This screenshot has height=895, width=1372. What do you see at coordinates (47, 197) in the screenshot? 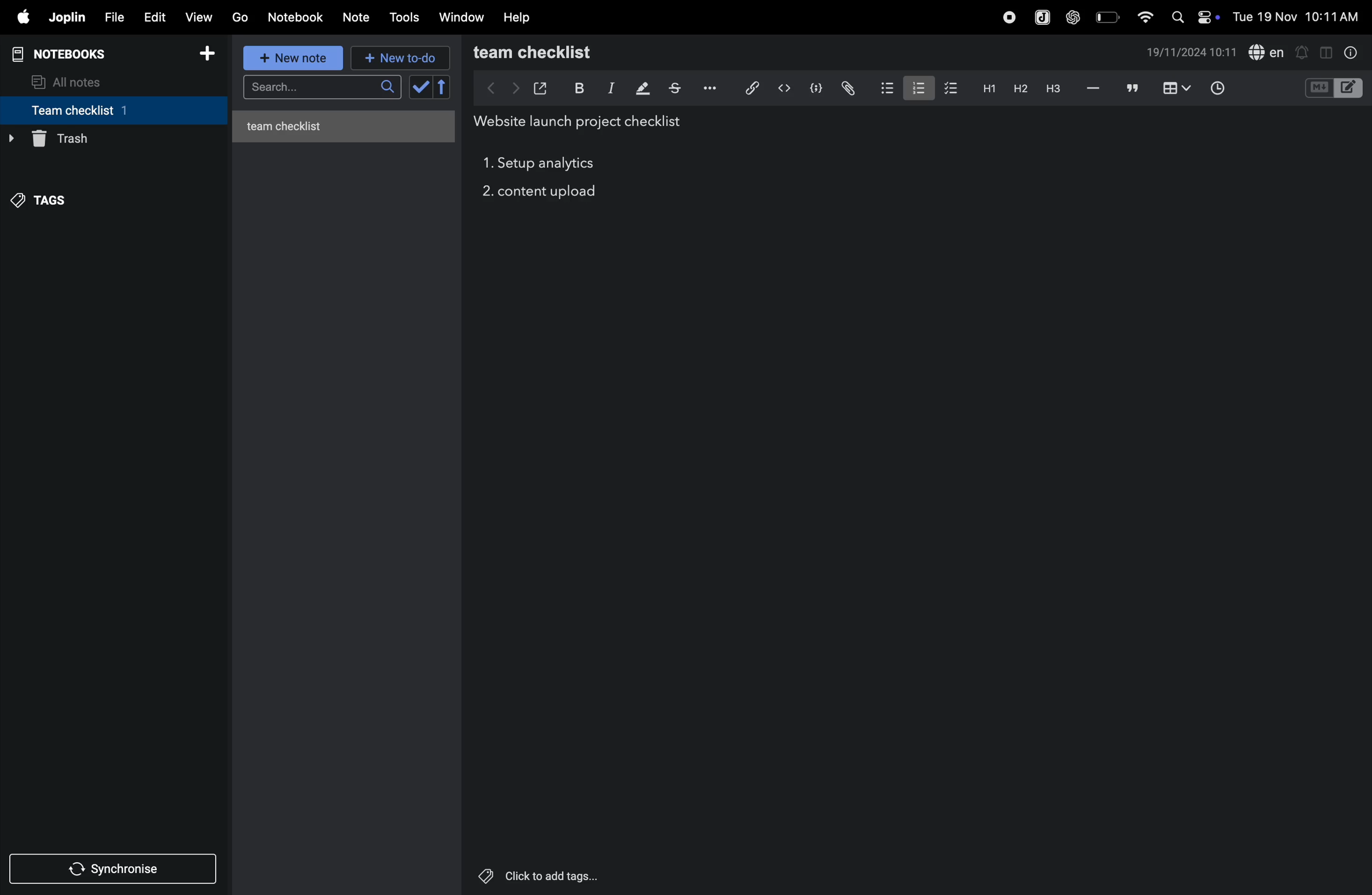
I see `tags` at bounding box center [47, 197].